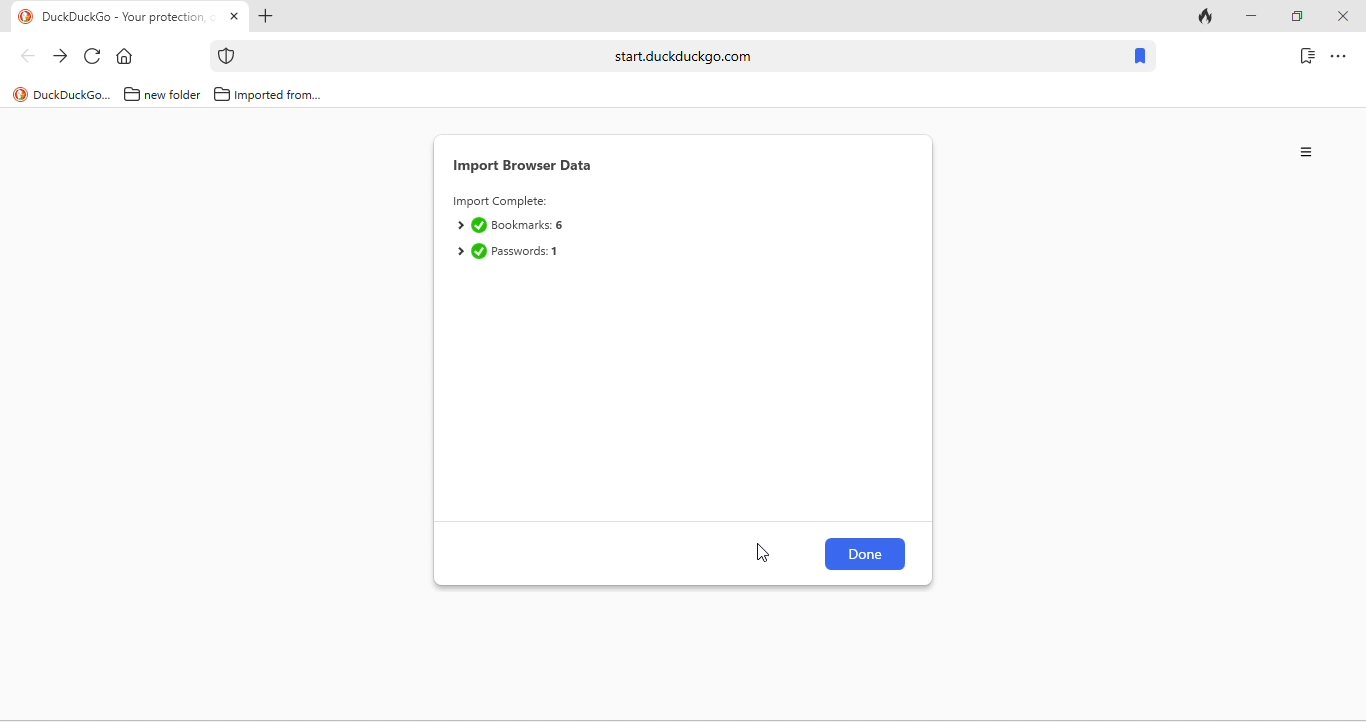  Describe the element at coordinates (1139, 57) in the screenshot. I see `bookmarks` at that location.